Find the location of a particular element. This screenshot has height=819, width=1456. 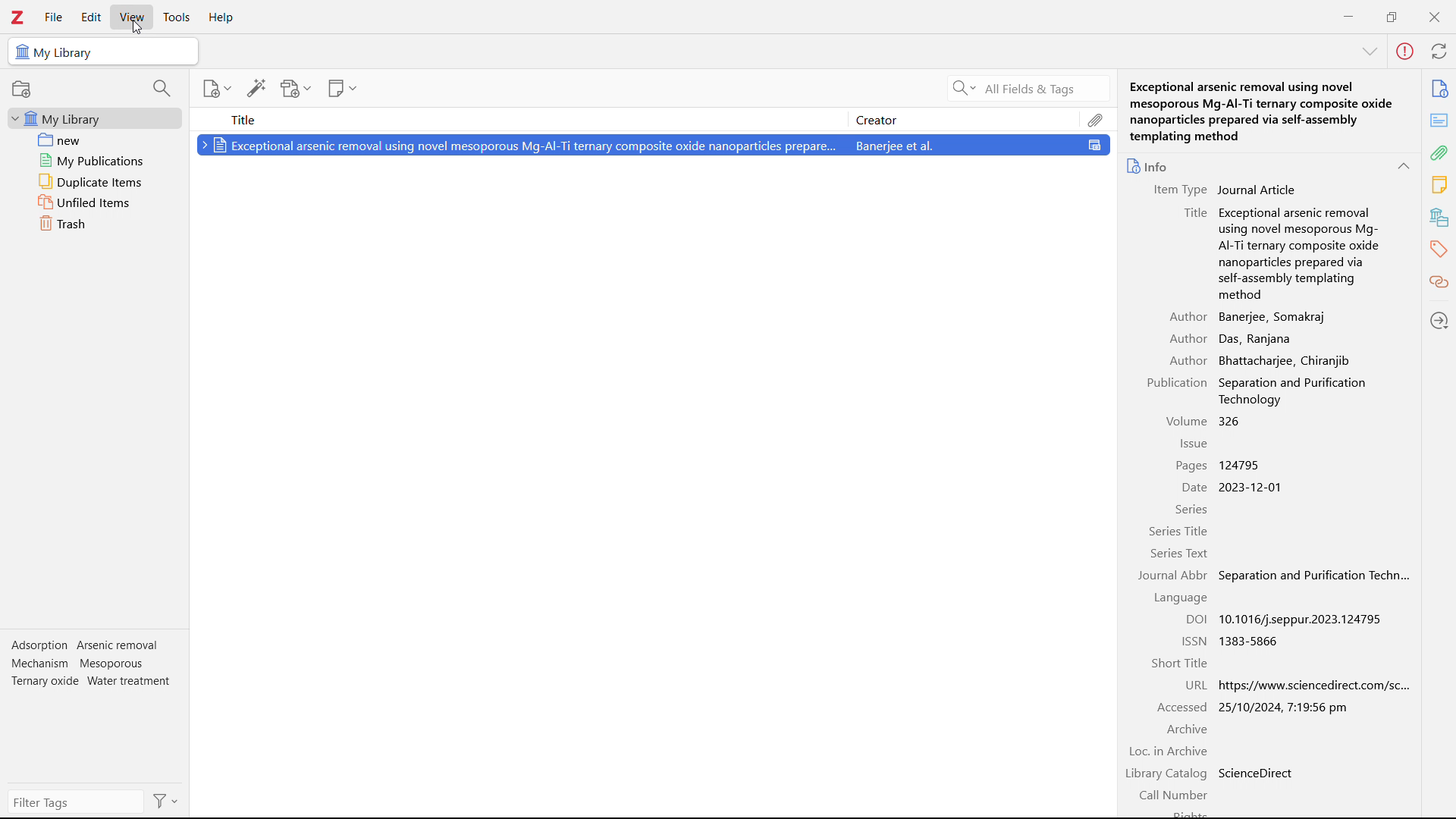

Mechanism   Mesoporous is located at coordinates (79, 663).